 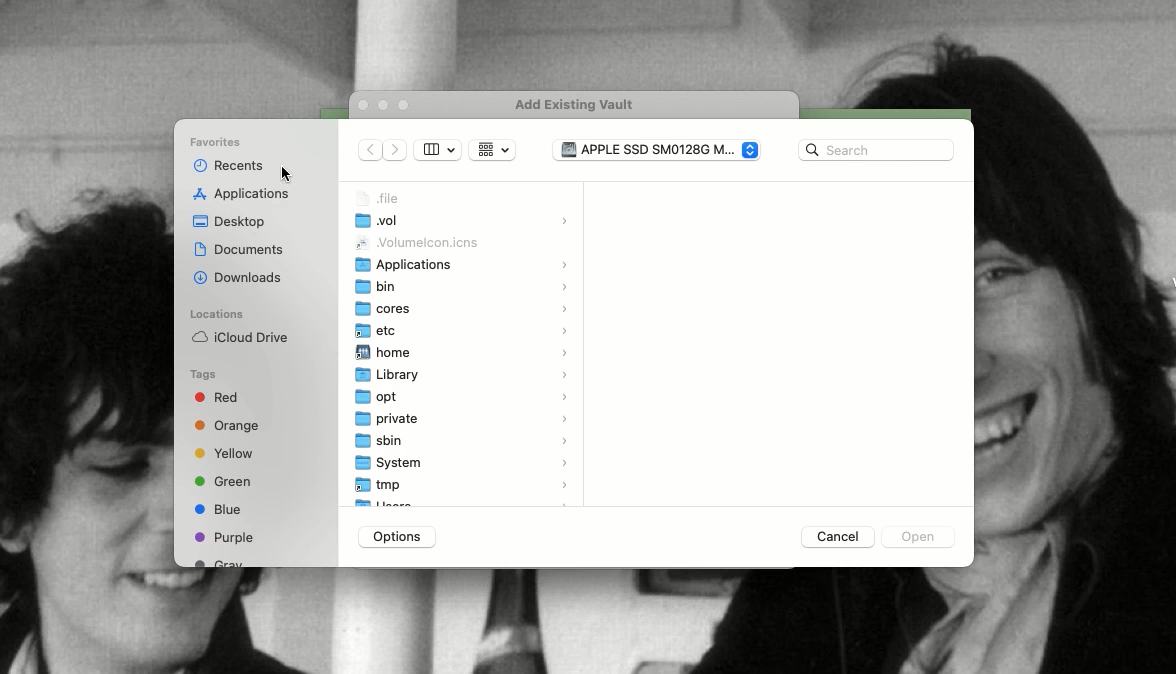 I want to click on Yellow, so click(x=227, y=454).